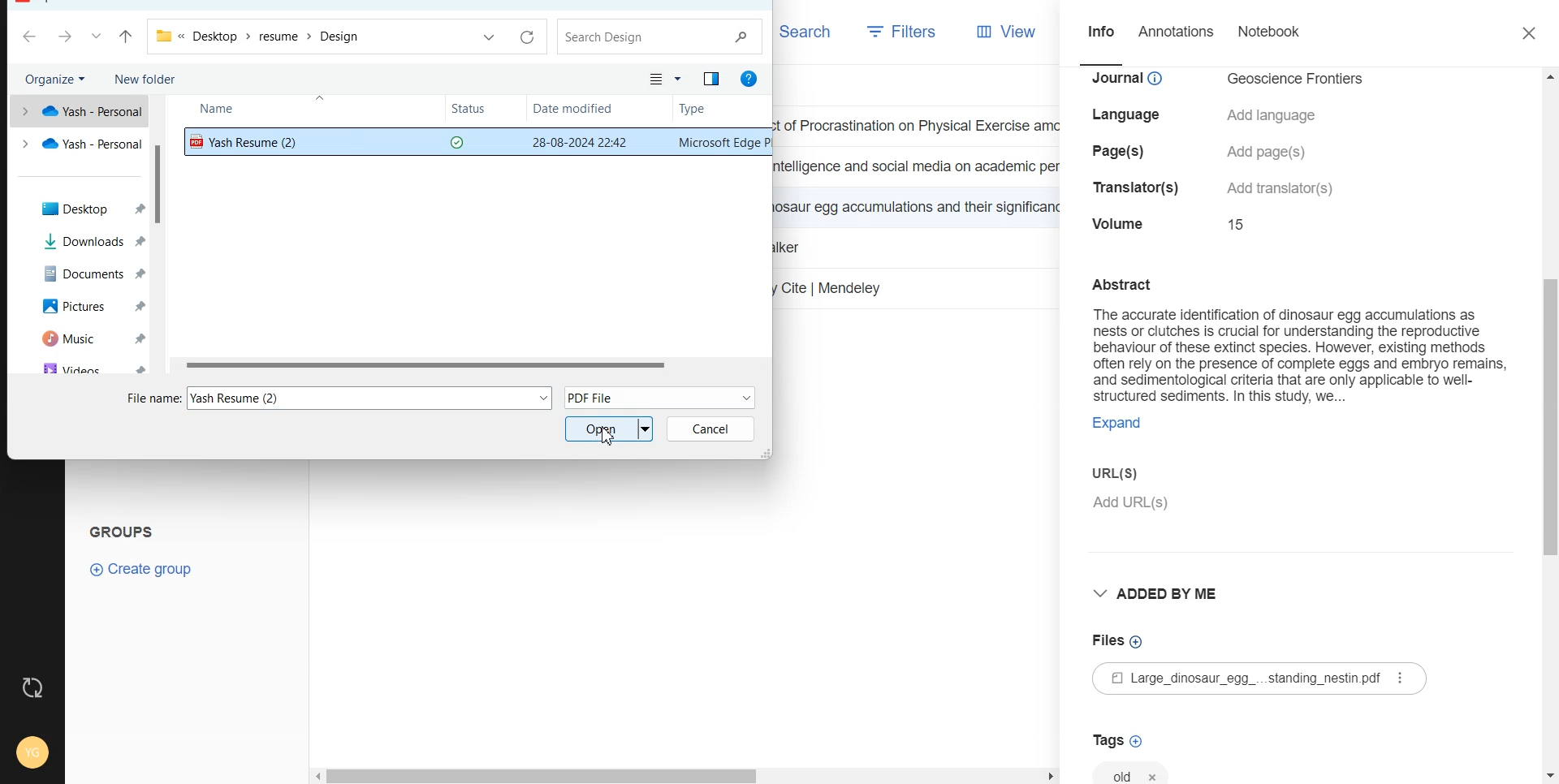 The height and width of the screenshot is (784, 1559). Describe the element at coordinates (1099, 34) in the screenshot. I see `Info` at that location.